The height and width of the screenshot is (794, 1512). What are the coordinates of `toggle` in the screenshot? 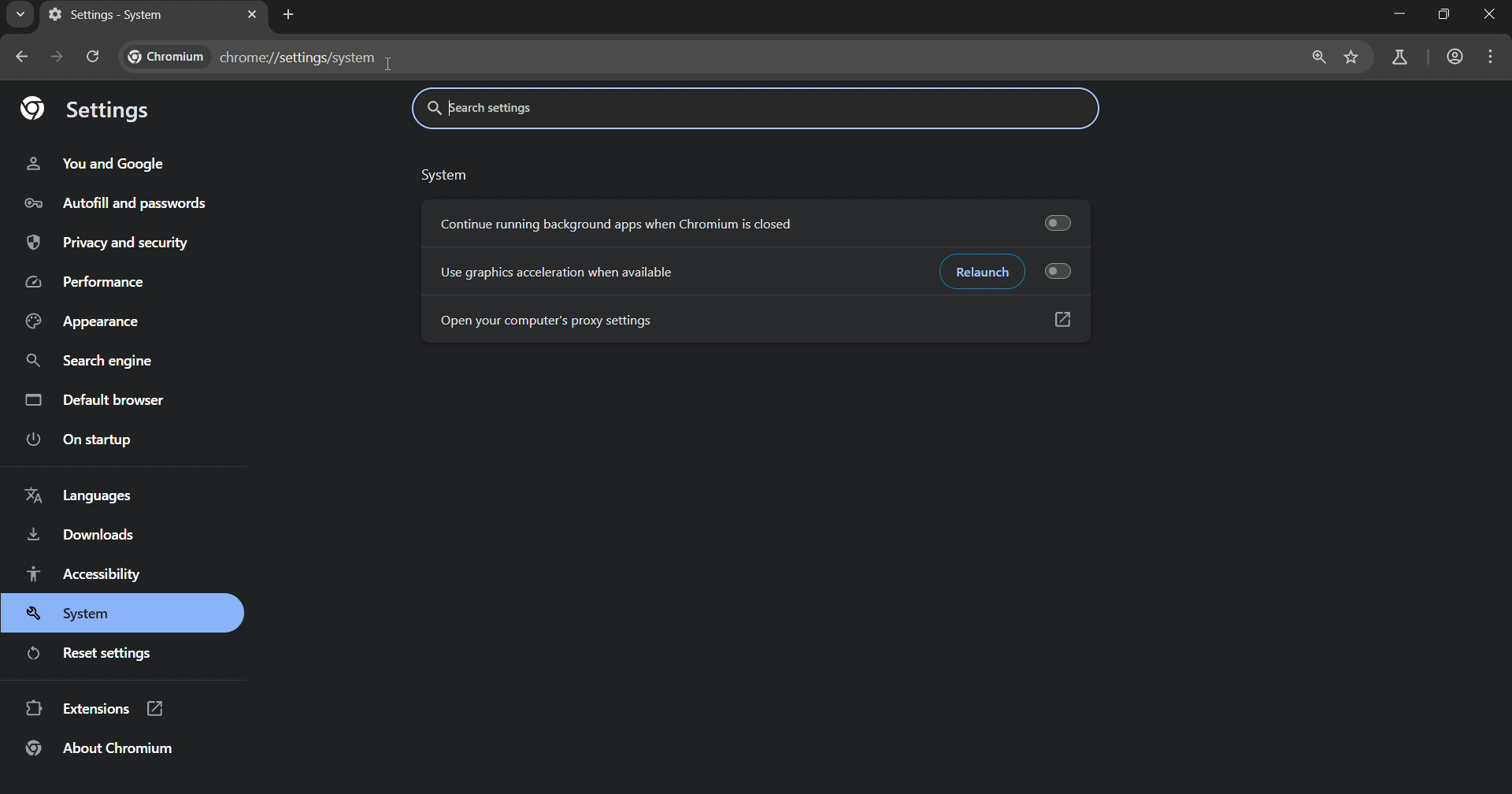 It's located at (1060, 224).